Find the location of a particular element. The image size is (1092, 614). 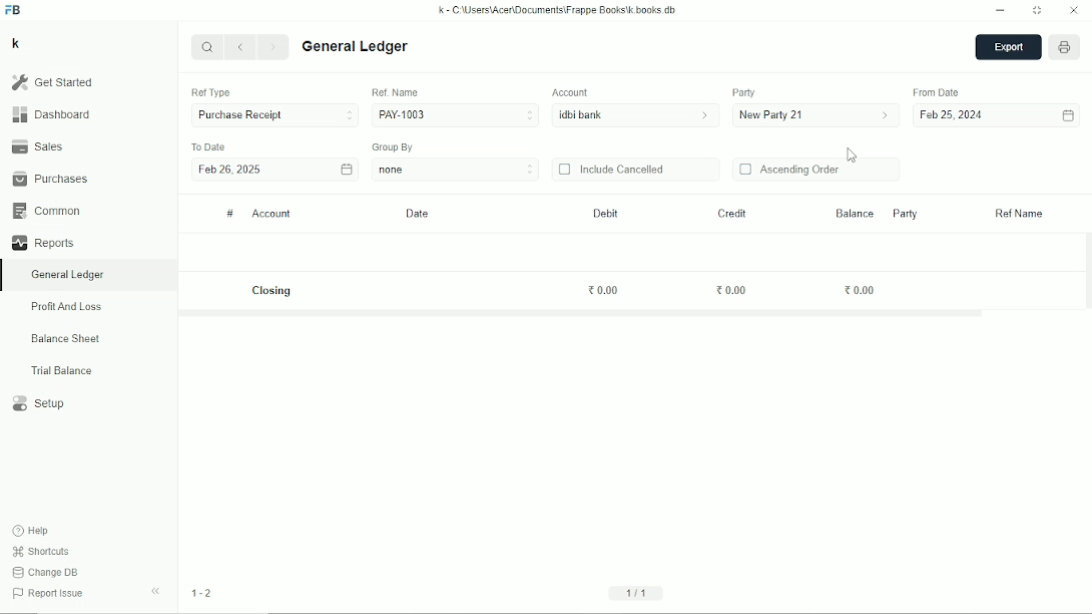

0.00 is located at coordinates (605, 290).